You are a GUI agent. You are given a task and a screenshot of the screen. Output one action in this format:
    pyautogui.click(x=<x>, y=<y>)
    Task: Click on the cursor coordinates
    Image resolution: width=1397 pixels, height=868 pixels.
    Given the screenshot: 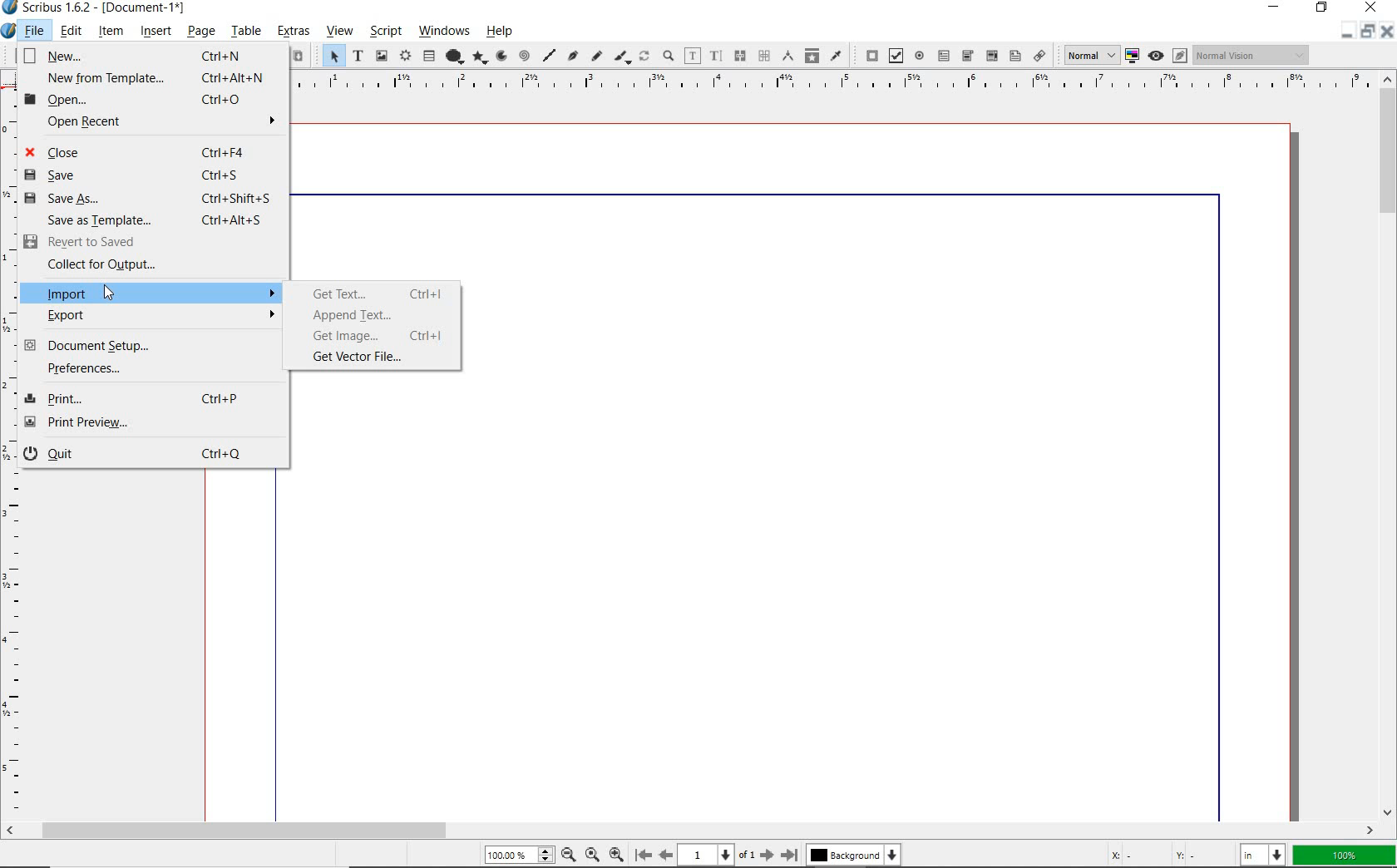 What is the action you would take?
    pyautogui.click(x=1168, y=856)
    